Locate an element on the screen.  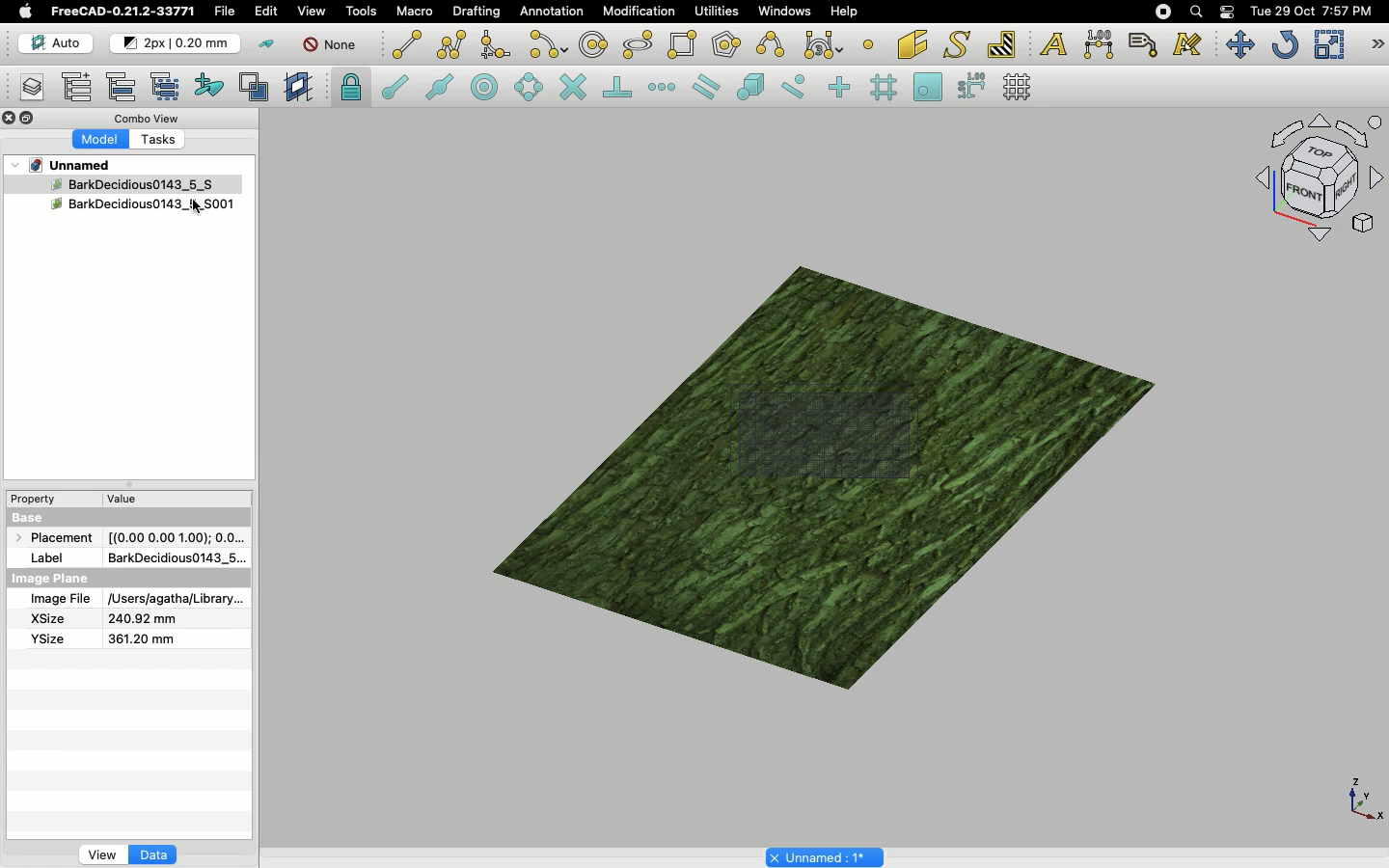
Navigation styles is located at coordinates (1318, 181).